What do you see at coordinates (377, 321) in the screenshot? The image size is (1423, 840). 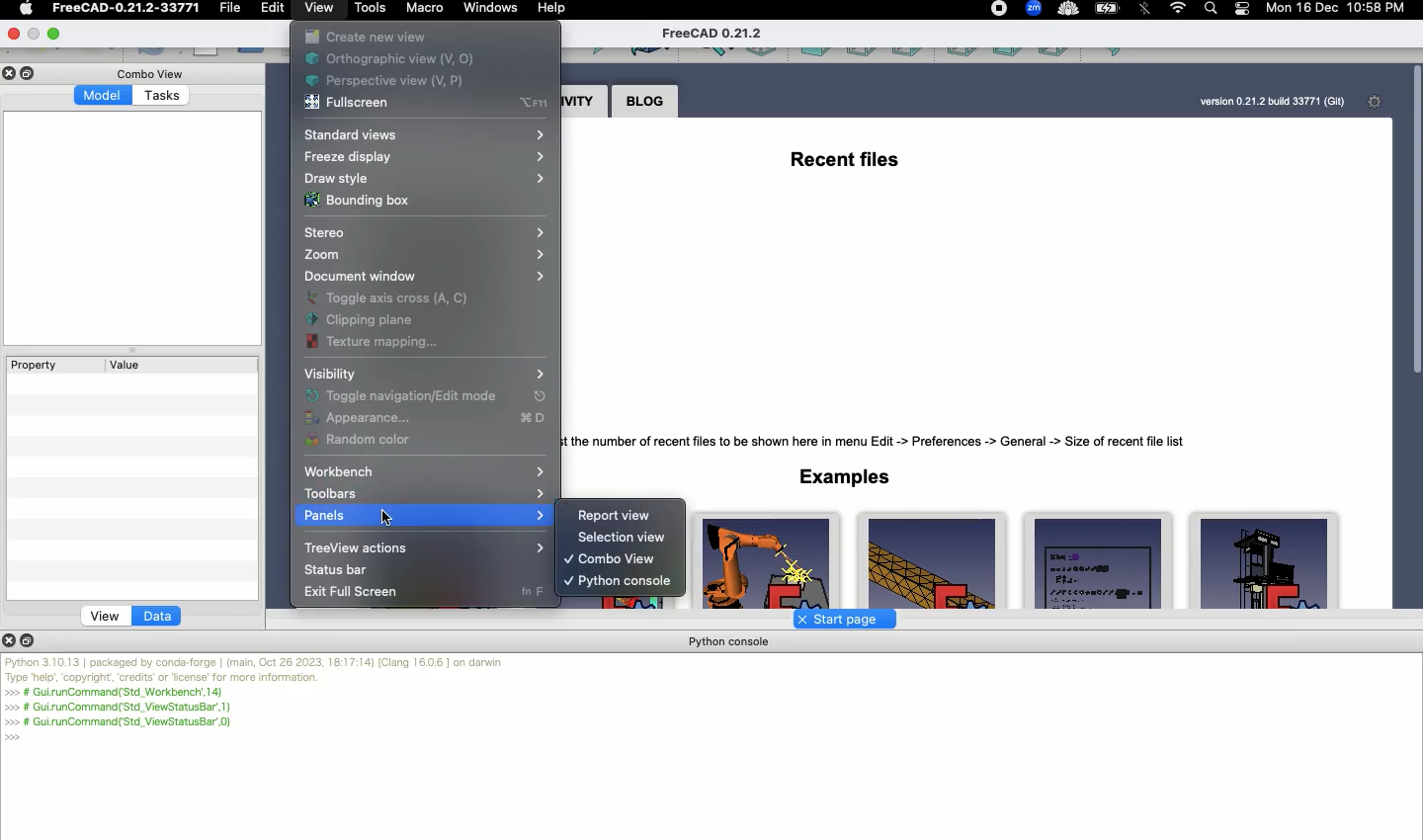 I see `Clipping pane` at bounding box center [377, 321].